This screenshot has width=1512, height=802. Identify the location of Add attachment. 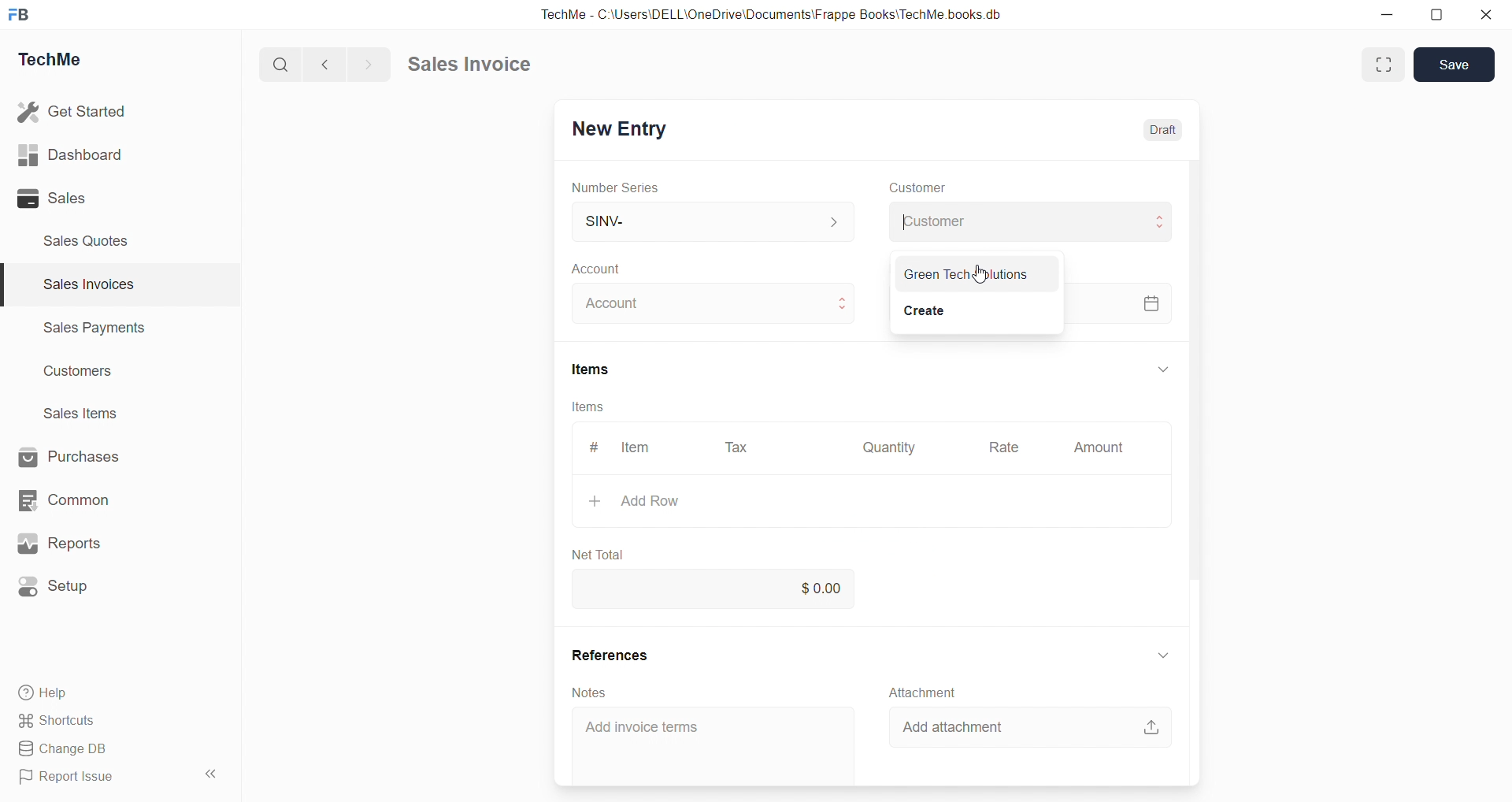
(951, 727).